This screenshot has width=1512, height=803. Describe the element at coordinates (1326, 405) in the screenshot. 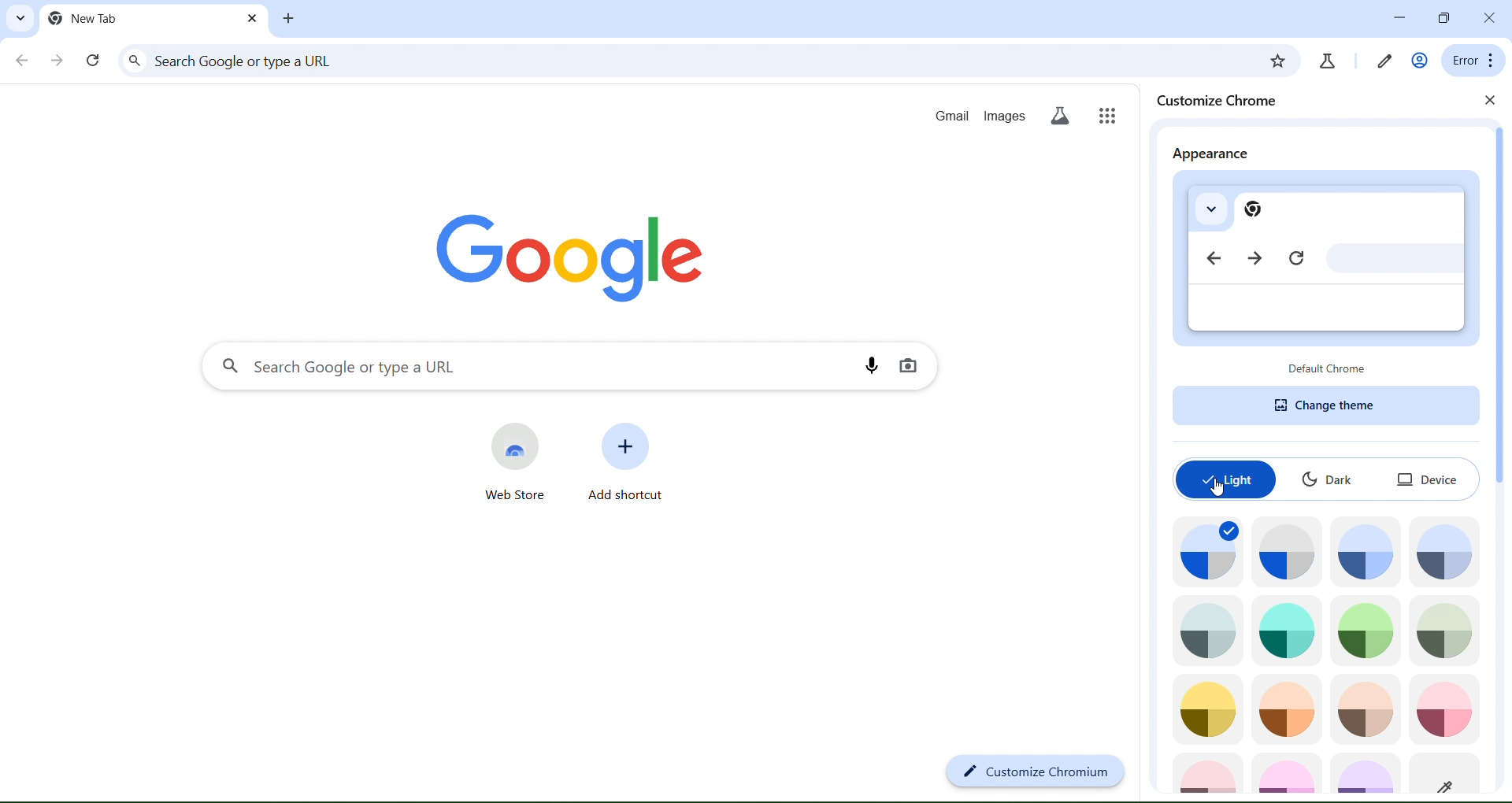

I see `change theme` at that location.